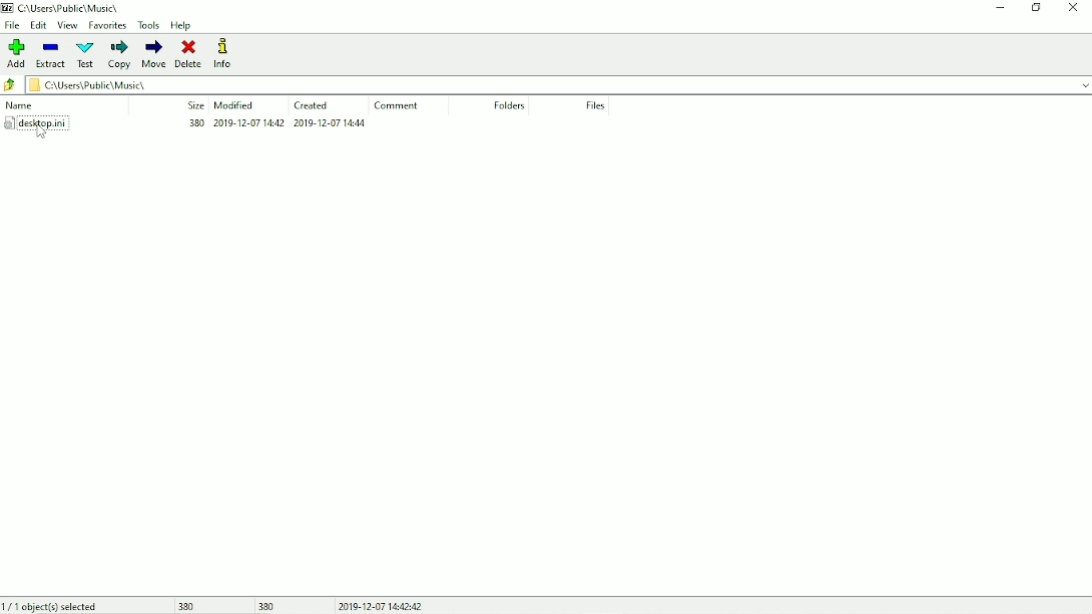  I want to click on Modified, so click(238, 104).